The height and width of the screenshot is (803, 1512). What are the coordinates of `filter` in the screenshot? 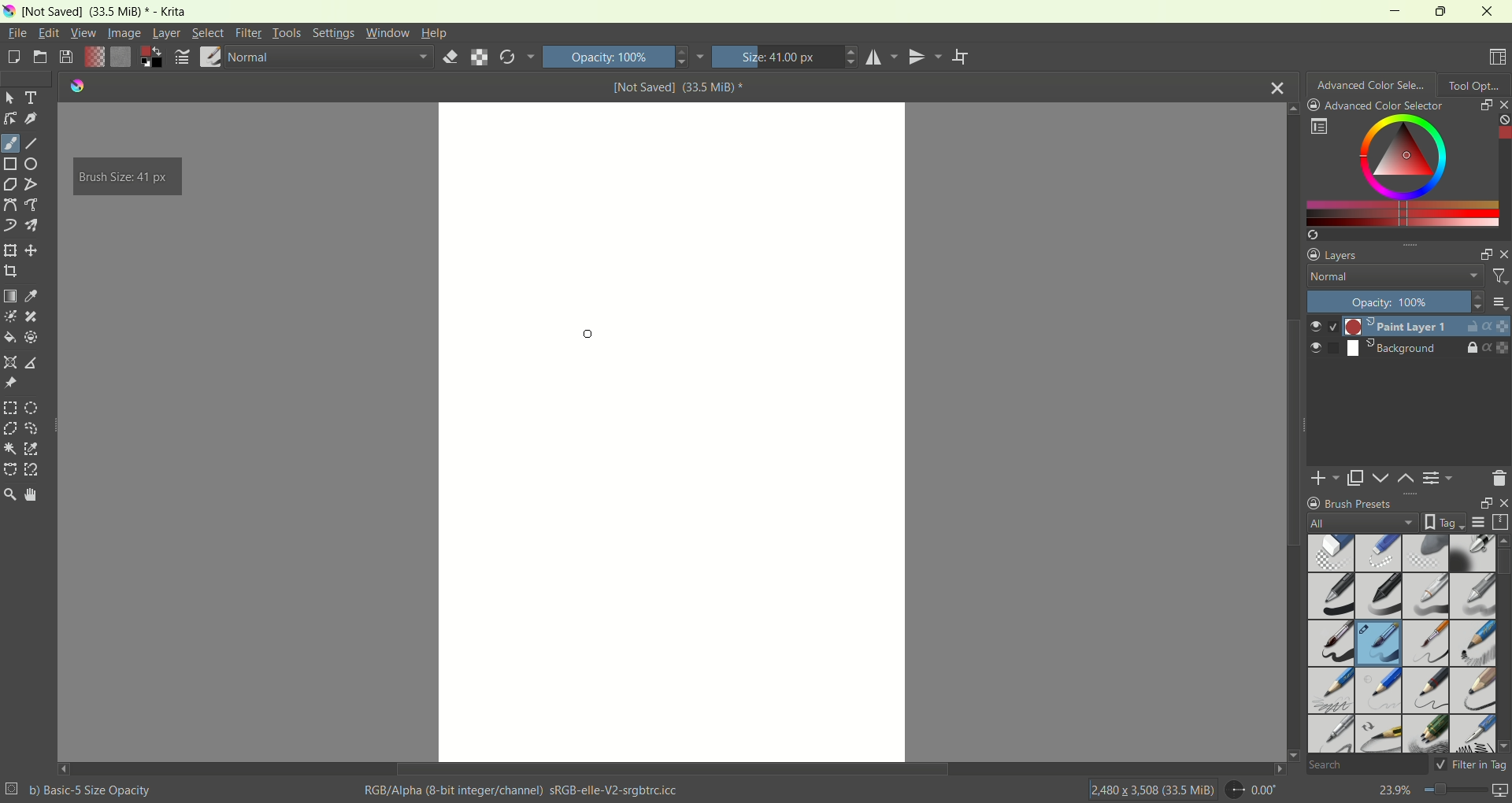 It's located at (1499, 279).